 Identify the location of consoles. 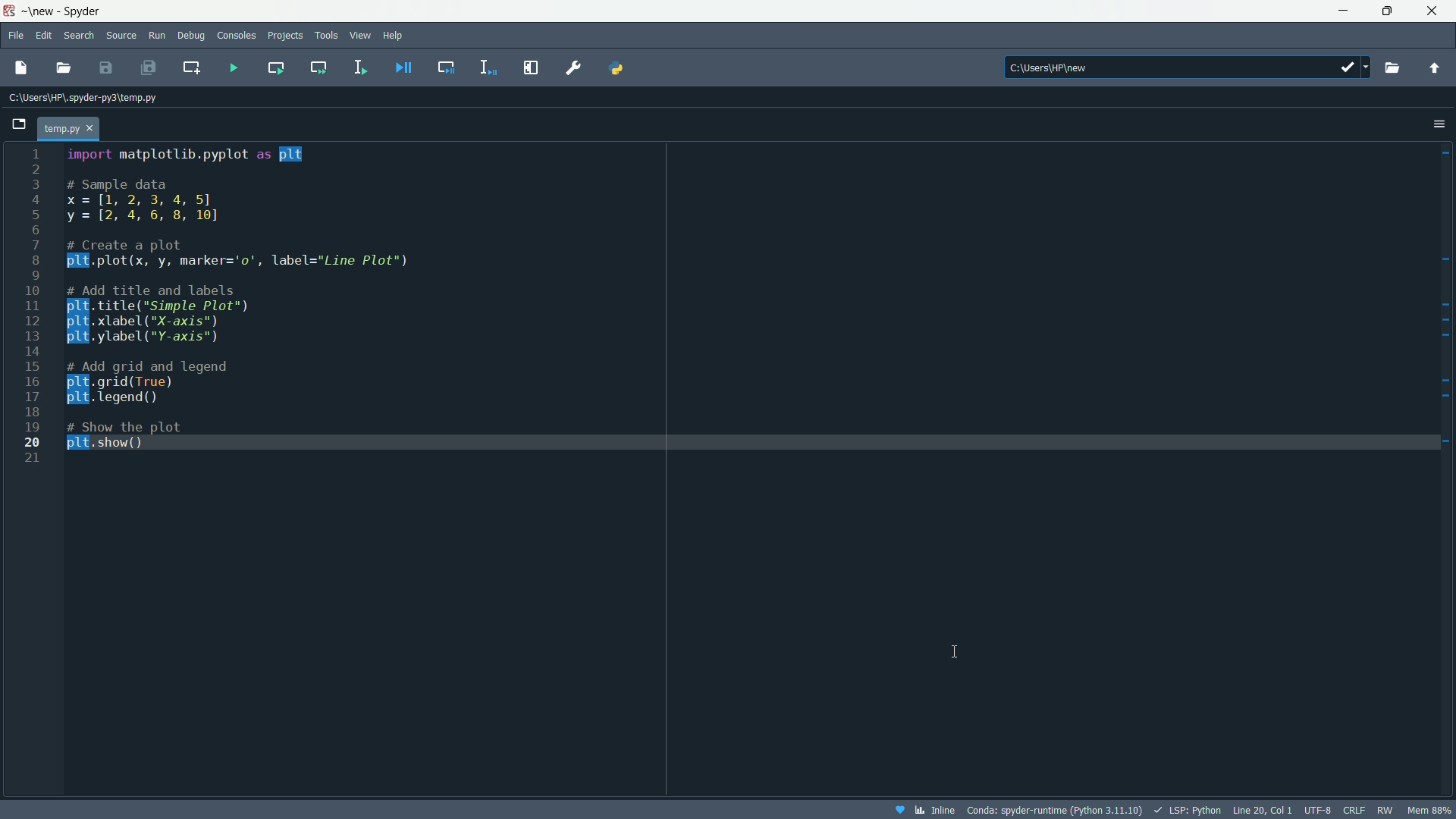
(237, 36).